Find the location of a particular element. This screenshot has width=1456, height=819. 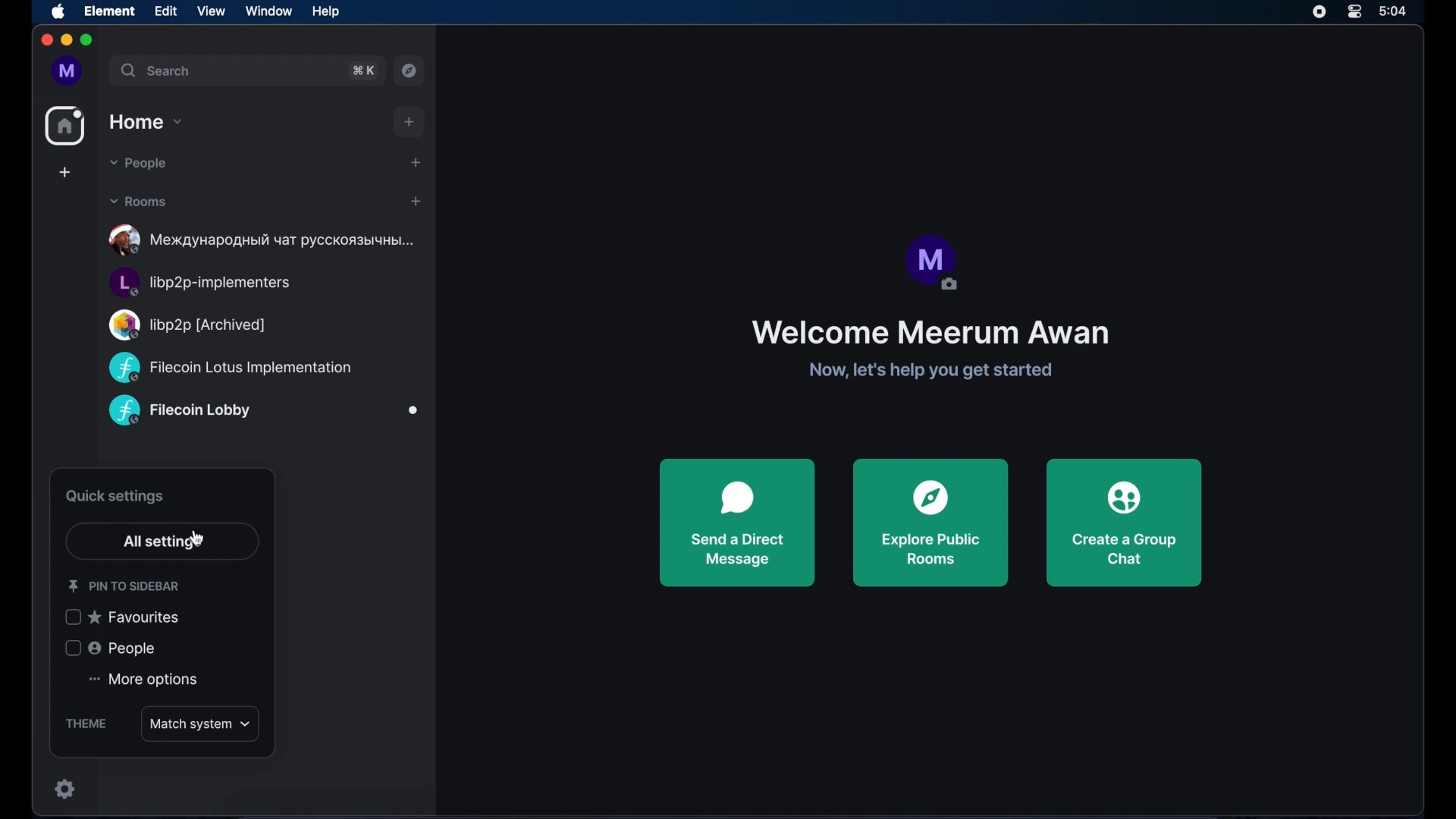

search is located at coordinates (157, 71).